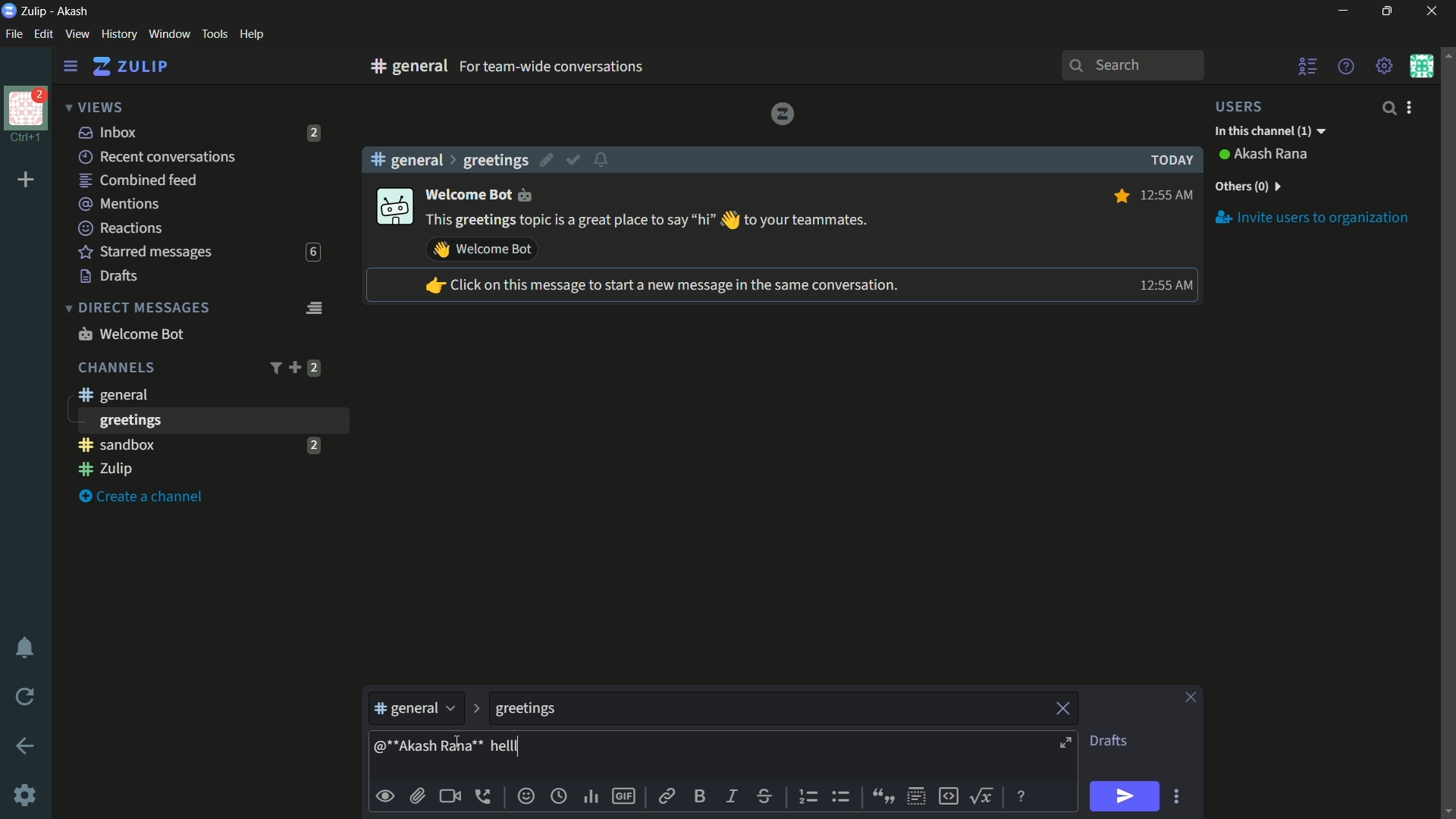 The height and width of the screenshot is (819, 1456). Describe the element at coordinates (71, 67) in the screenshot. I see `settings` at that location.